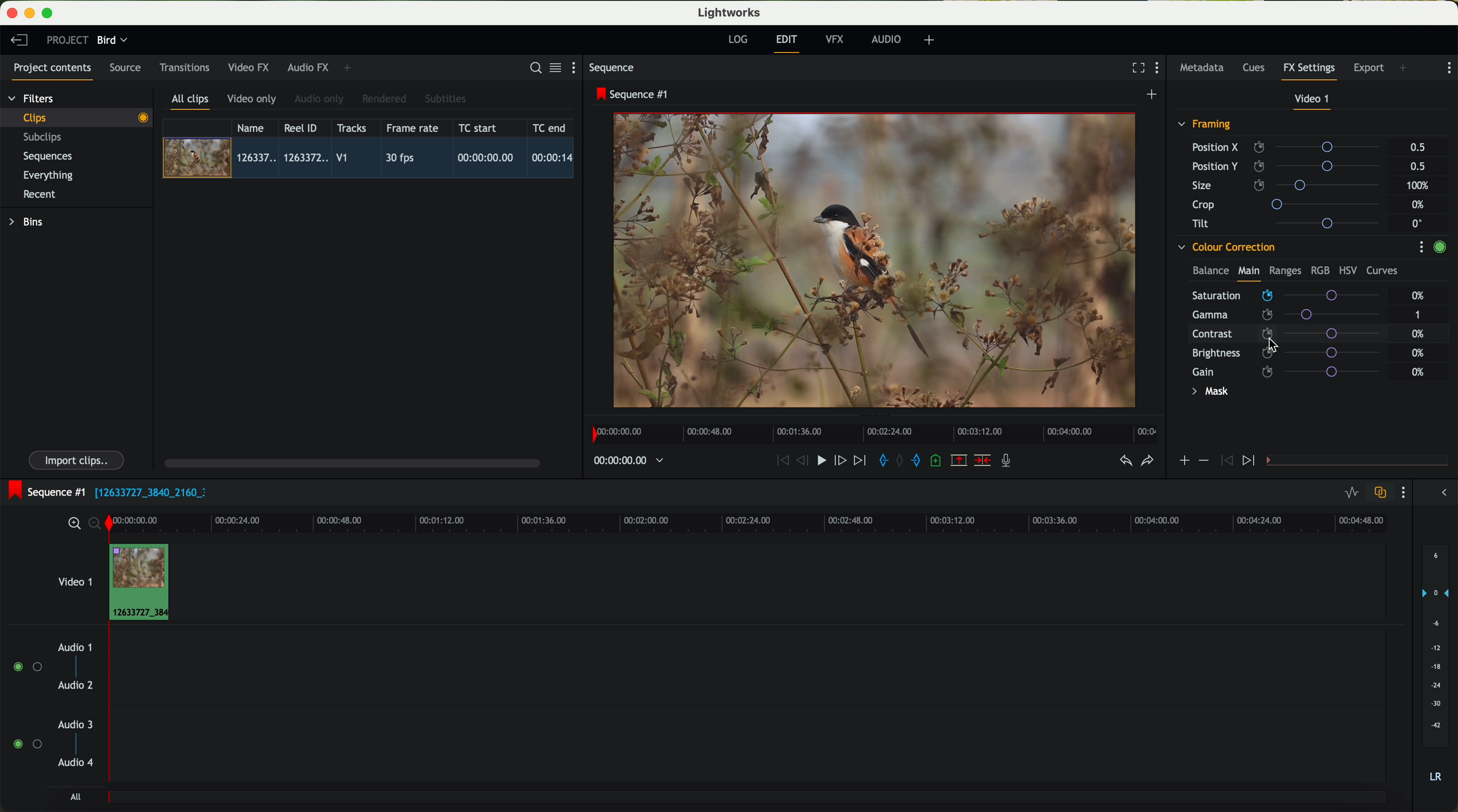 Image resolution: width=1458 pixels, height=812 pixels. I want to click on scroll bar, so click(351, 462).